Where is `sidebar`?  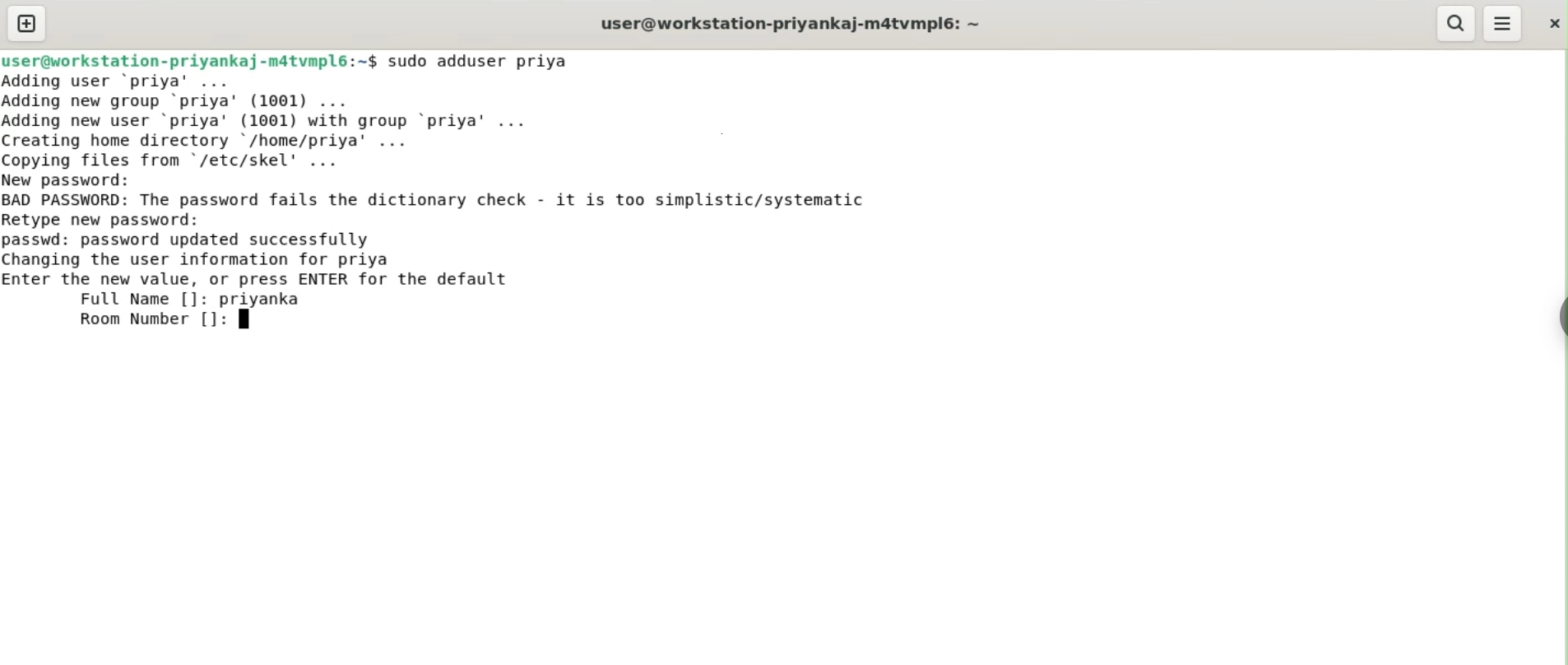
sidebar is located at coordinates (1560, 318).